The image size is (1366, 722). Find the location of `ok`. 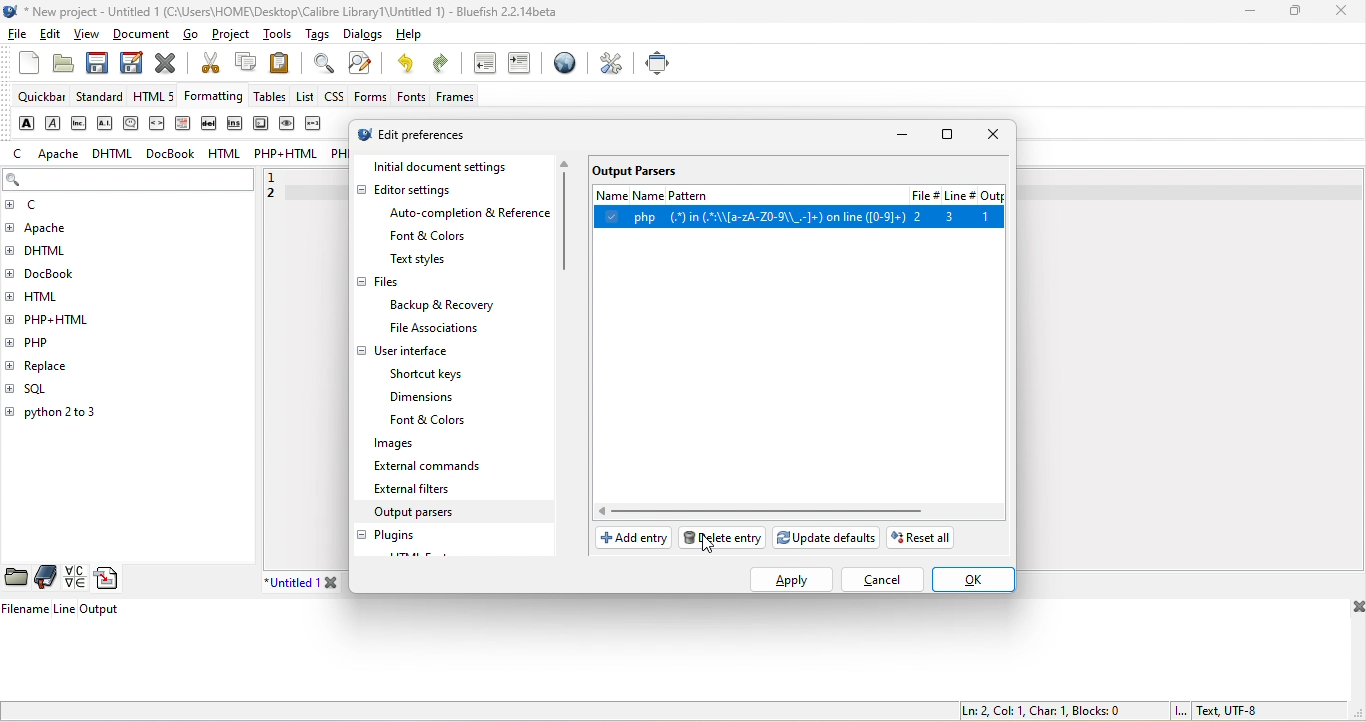

ok is located at coordinates (976, 580).